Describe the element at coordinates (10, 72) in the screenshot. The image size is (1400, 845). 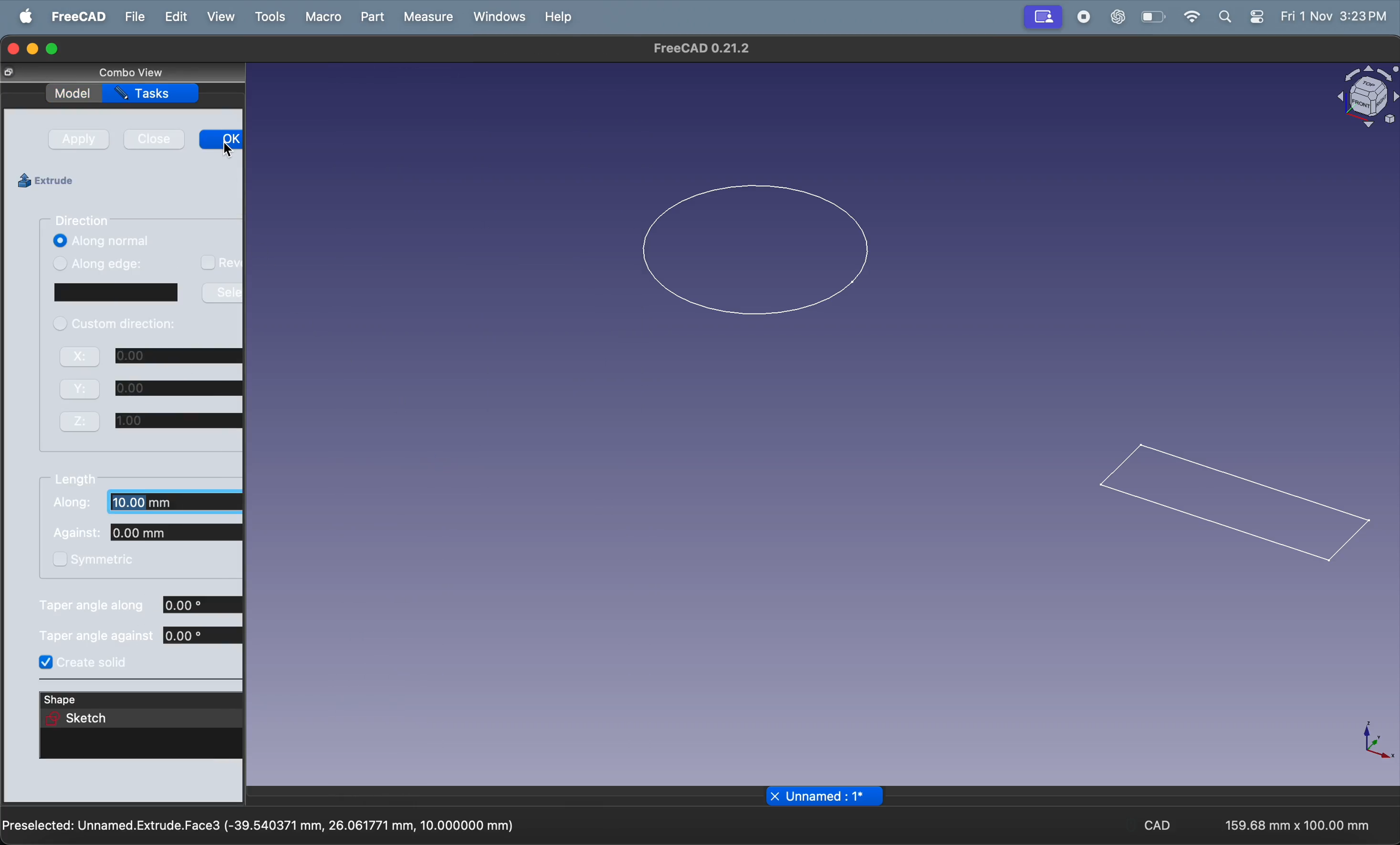
I see `close` at that location.